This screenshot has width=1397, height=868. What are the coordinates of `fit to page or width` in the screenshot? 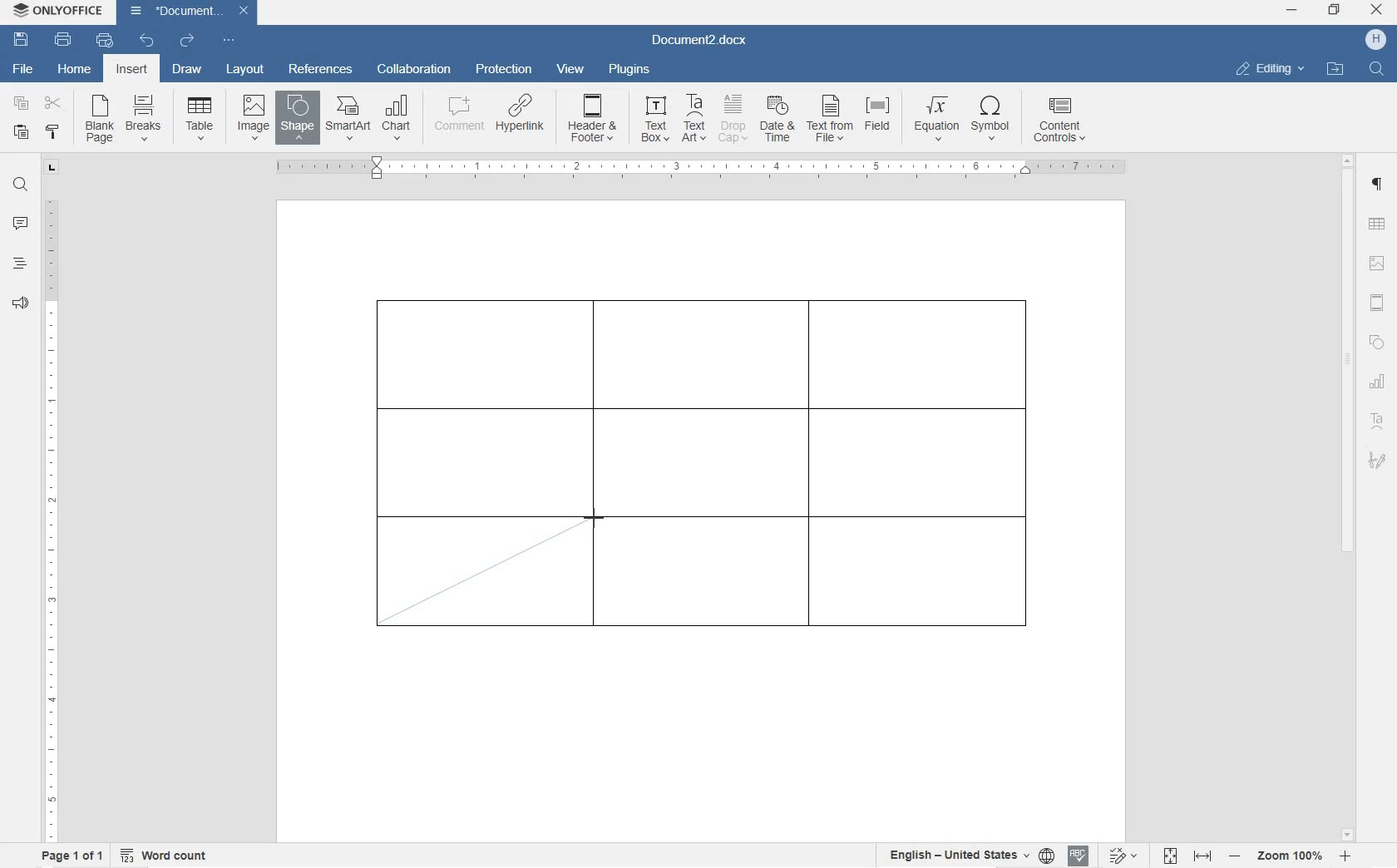 It's located at (1187, 855).